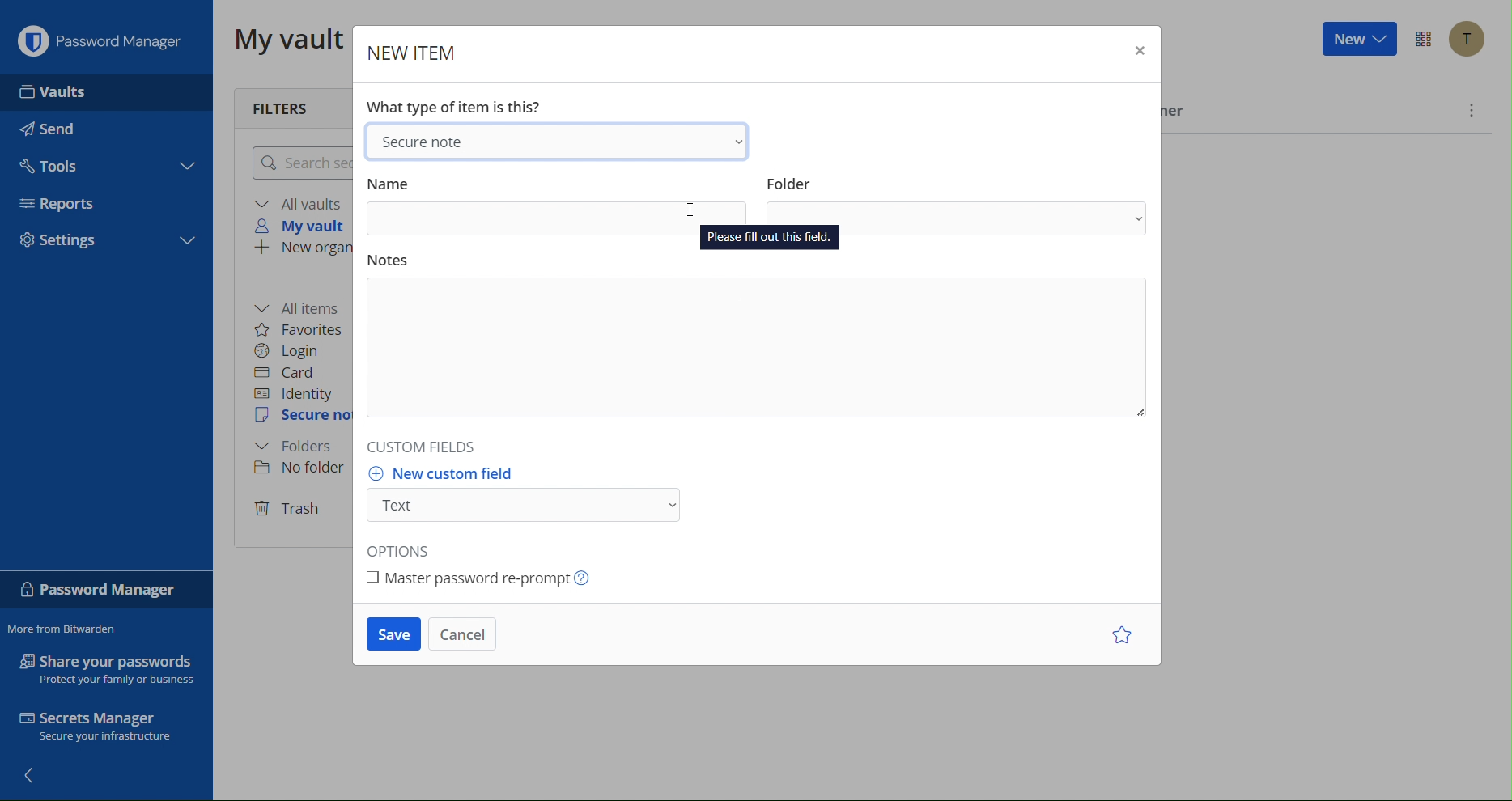 The height and width of the screenshot is (801, 1512). Describe the element at coordinates (1357, 41) in the screenshot. I see `New` at that location.